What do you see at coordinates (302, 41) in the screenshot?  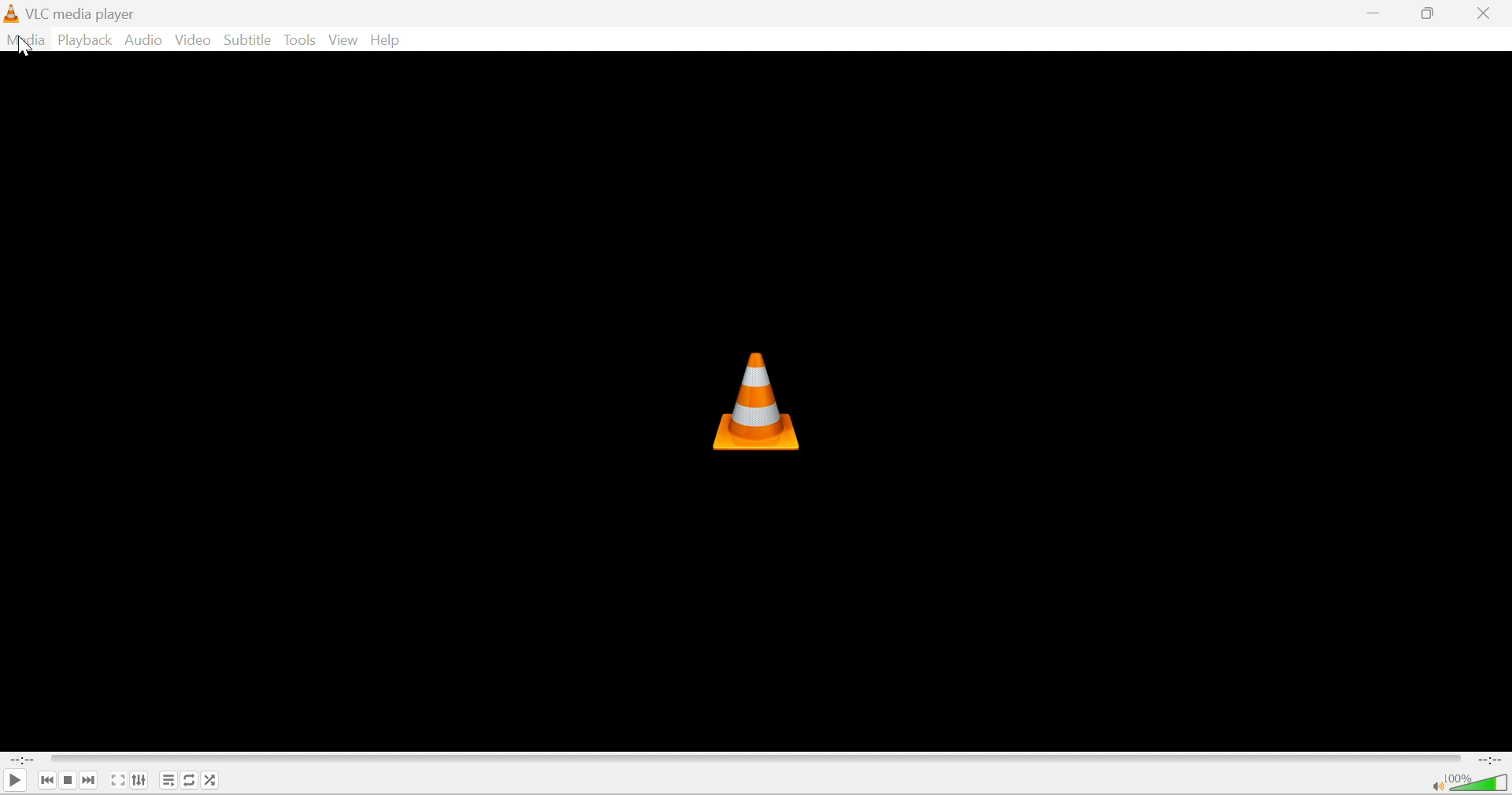 I see `Tools` at bounding box center [302, 41].